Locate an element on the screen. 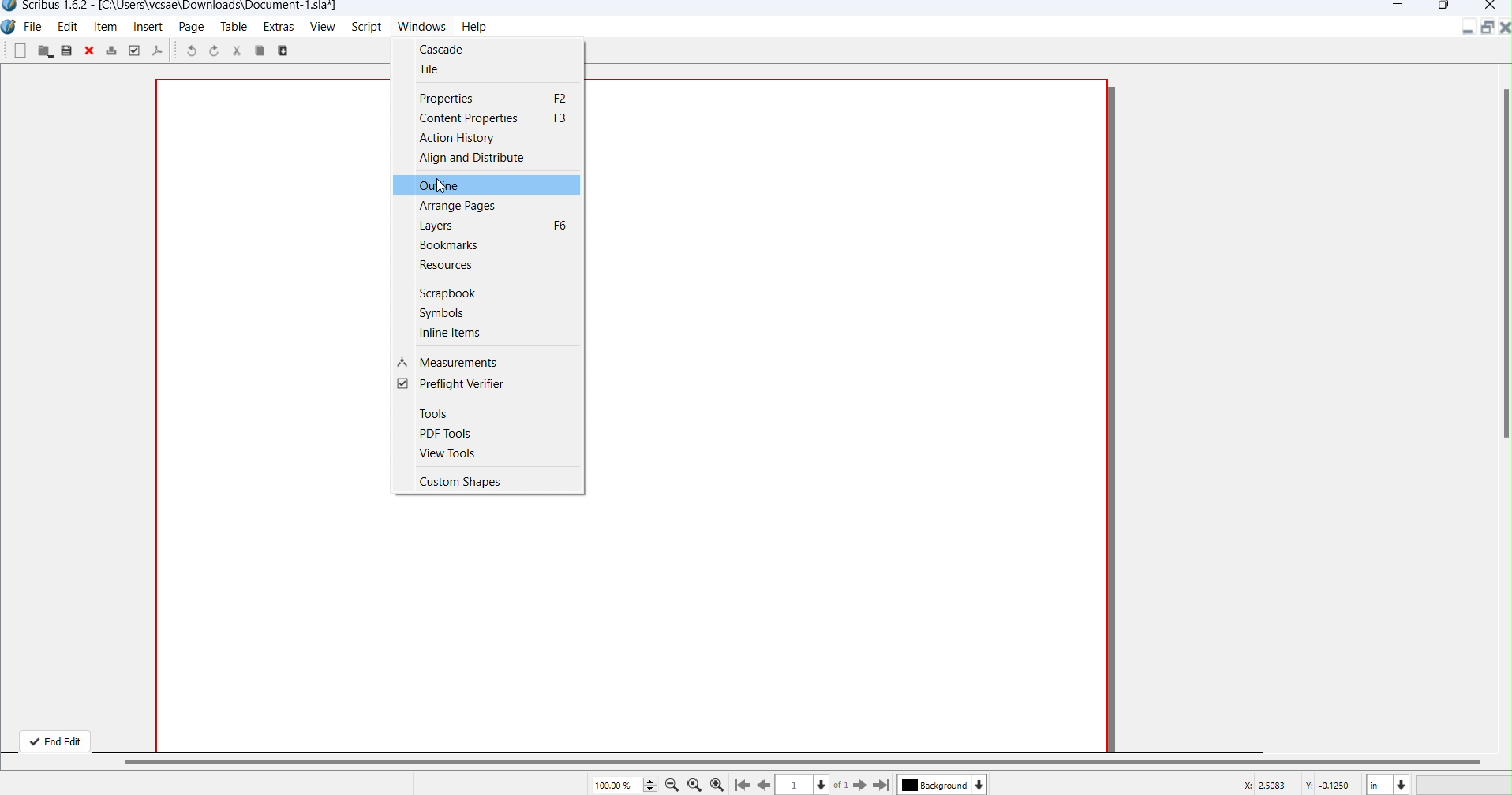 Image resolution: width=1512 pixels, height=795 pixels. 1 is located at coordinates (795, 785).